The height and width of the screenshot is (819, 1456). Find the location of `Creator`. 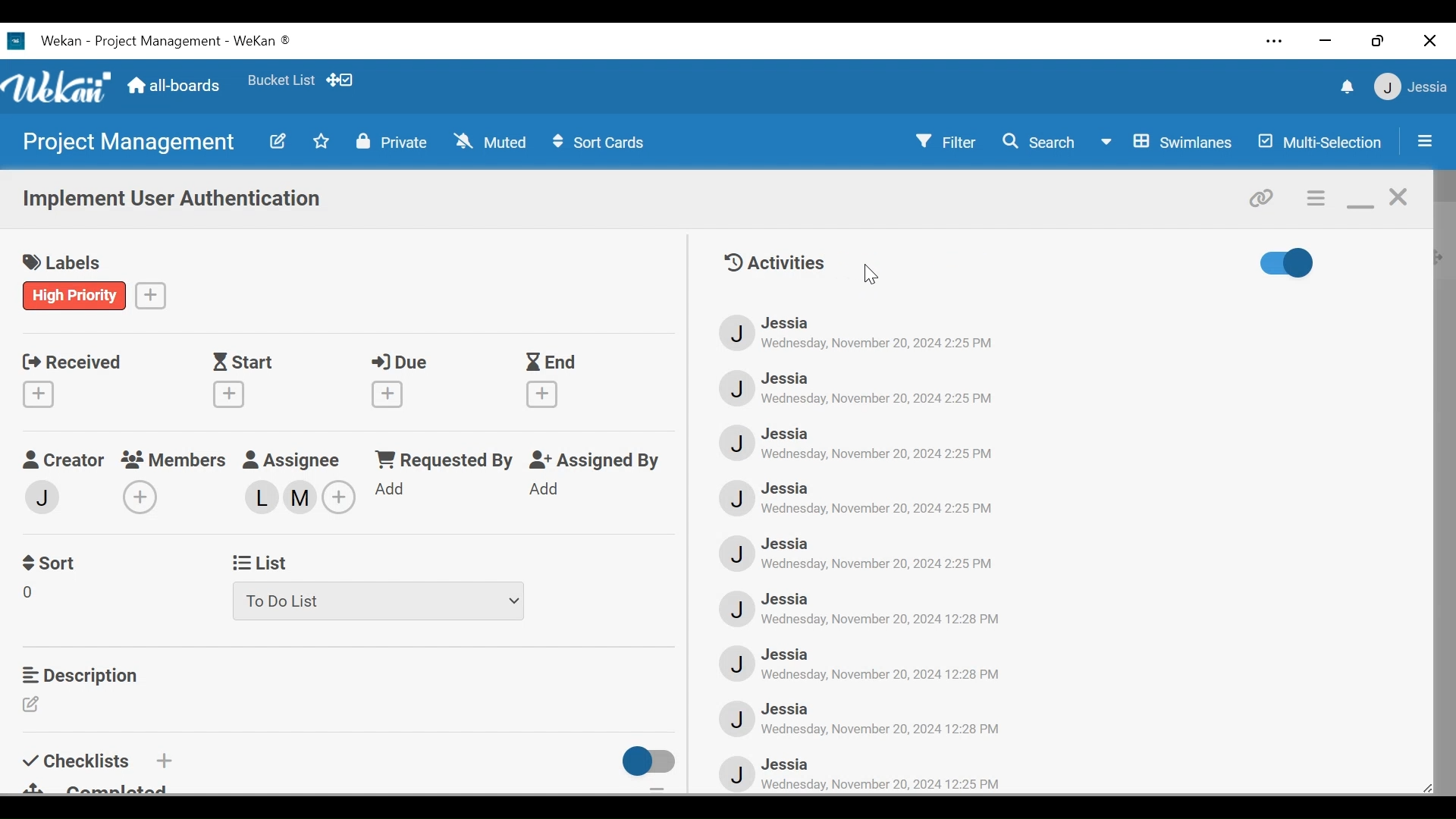

Creator is located at coordinates (64, 457).